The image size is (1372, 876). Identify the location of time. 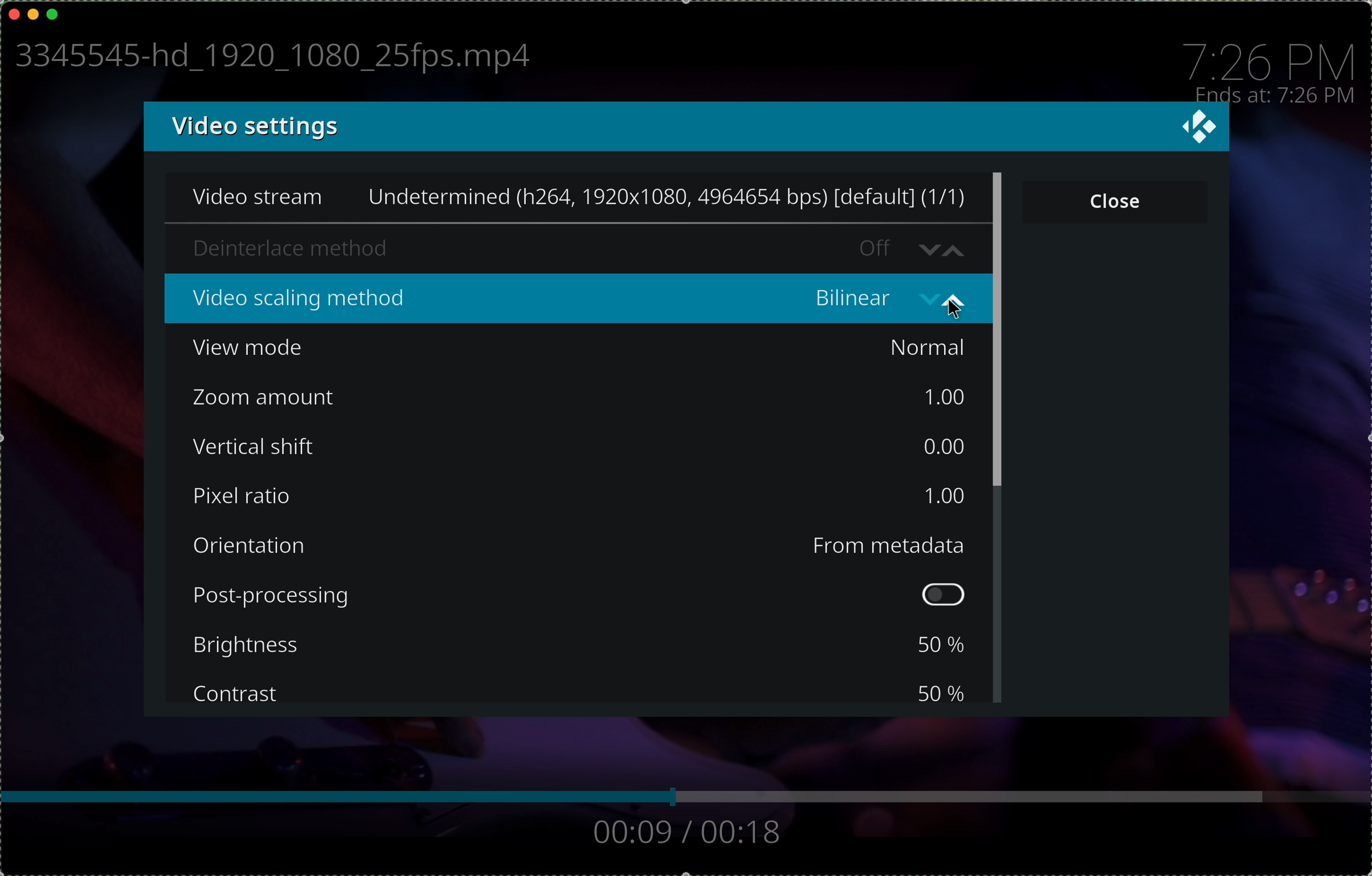
(1271, 58).